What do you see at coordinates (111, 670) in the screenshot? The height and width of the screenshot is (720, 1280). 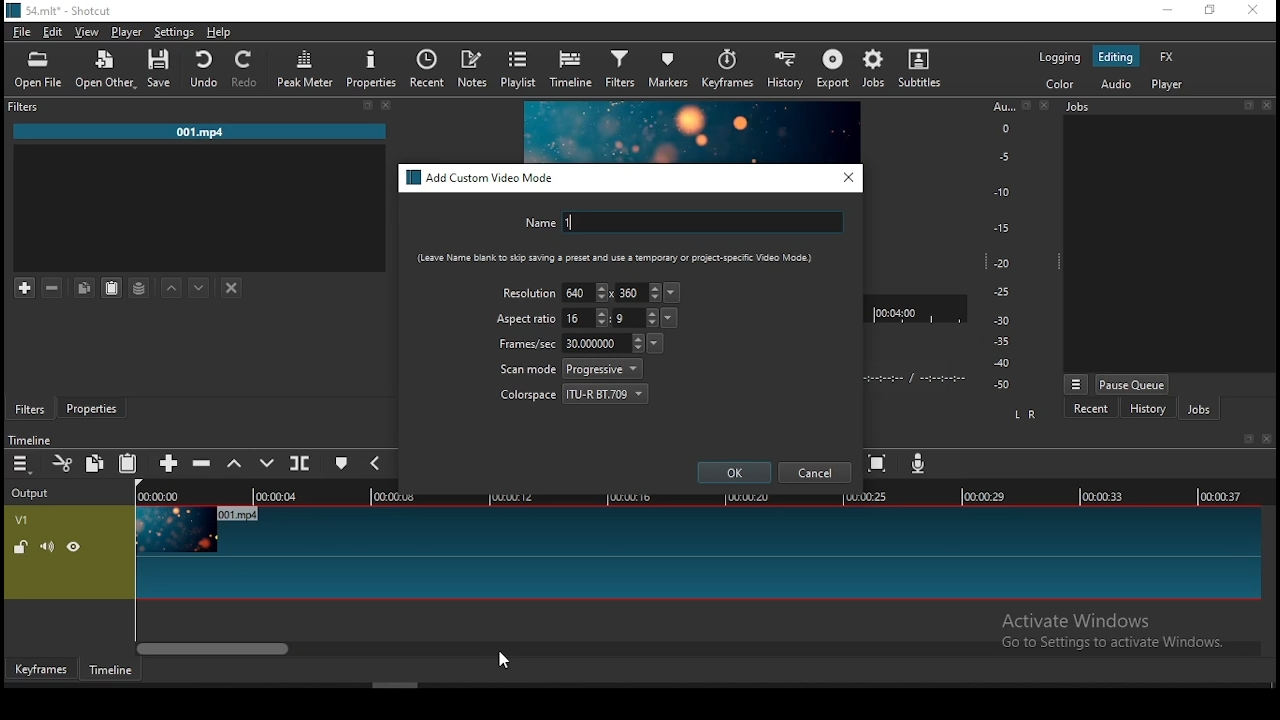 I see `timeline` at bounding box center [111, 670].